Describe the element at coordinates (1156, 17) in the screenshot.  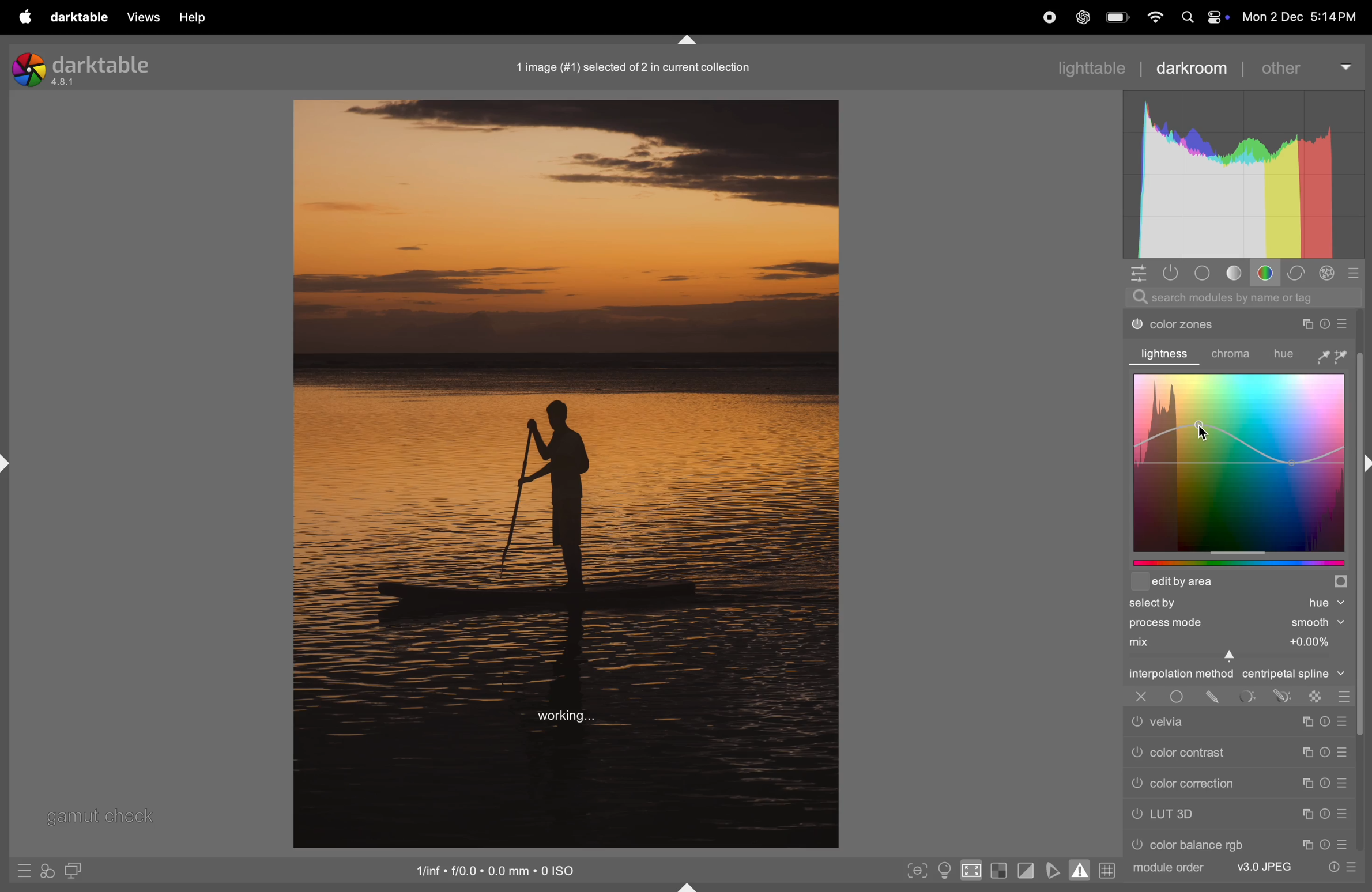
I see `wifi` at that location.